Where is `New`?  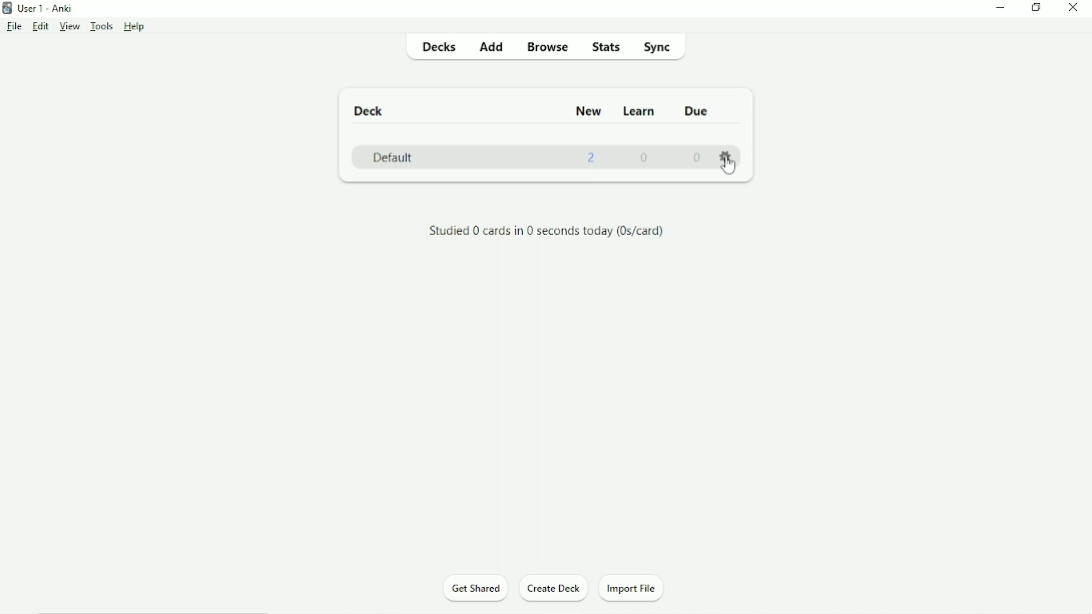 New is located at coordinates (589, 110).